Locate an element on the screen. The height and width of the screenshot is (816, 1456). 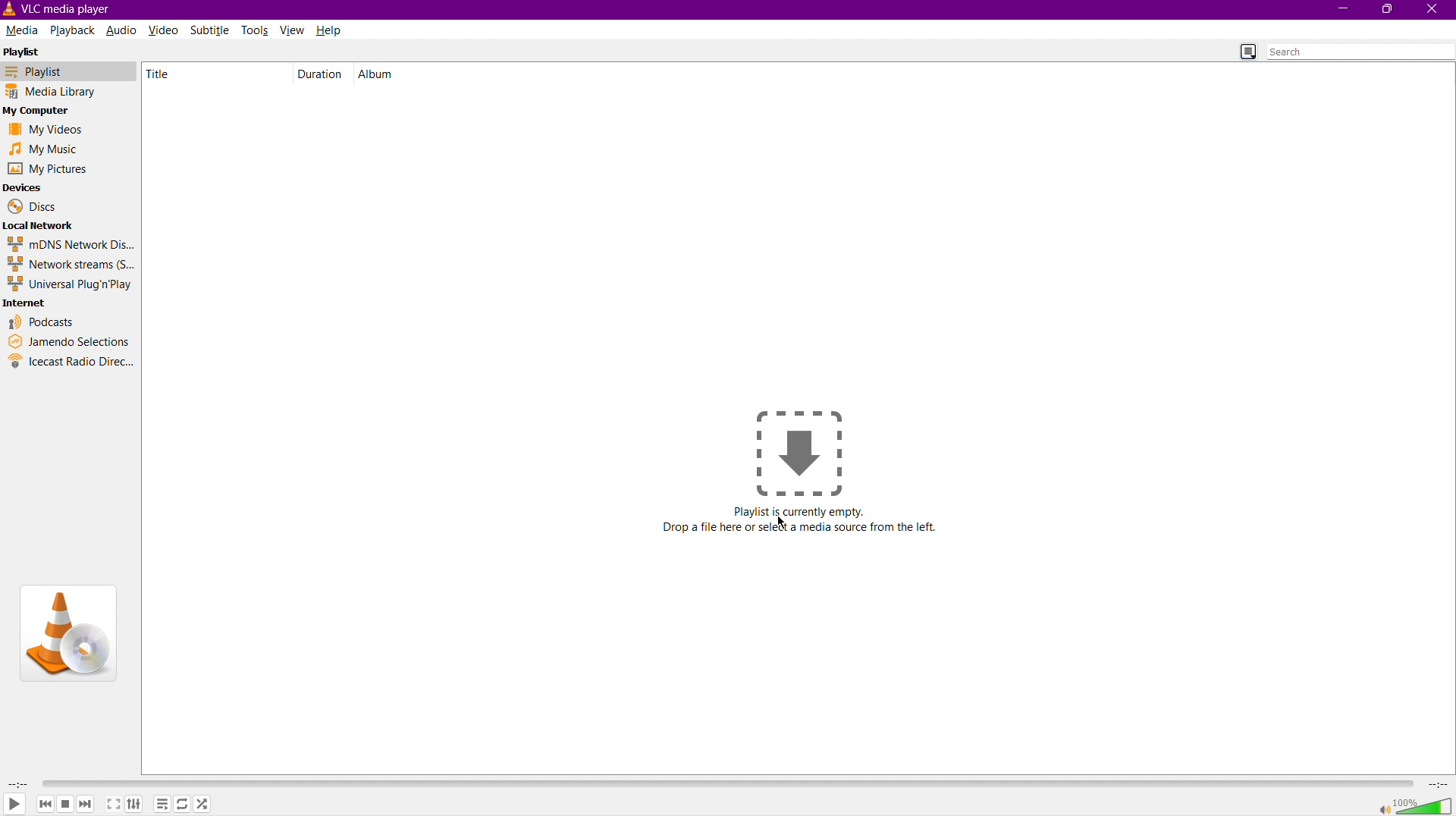
Options is located at coordinates (161, 803).